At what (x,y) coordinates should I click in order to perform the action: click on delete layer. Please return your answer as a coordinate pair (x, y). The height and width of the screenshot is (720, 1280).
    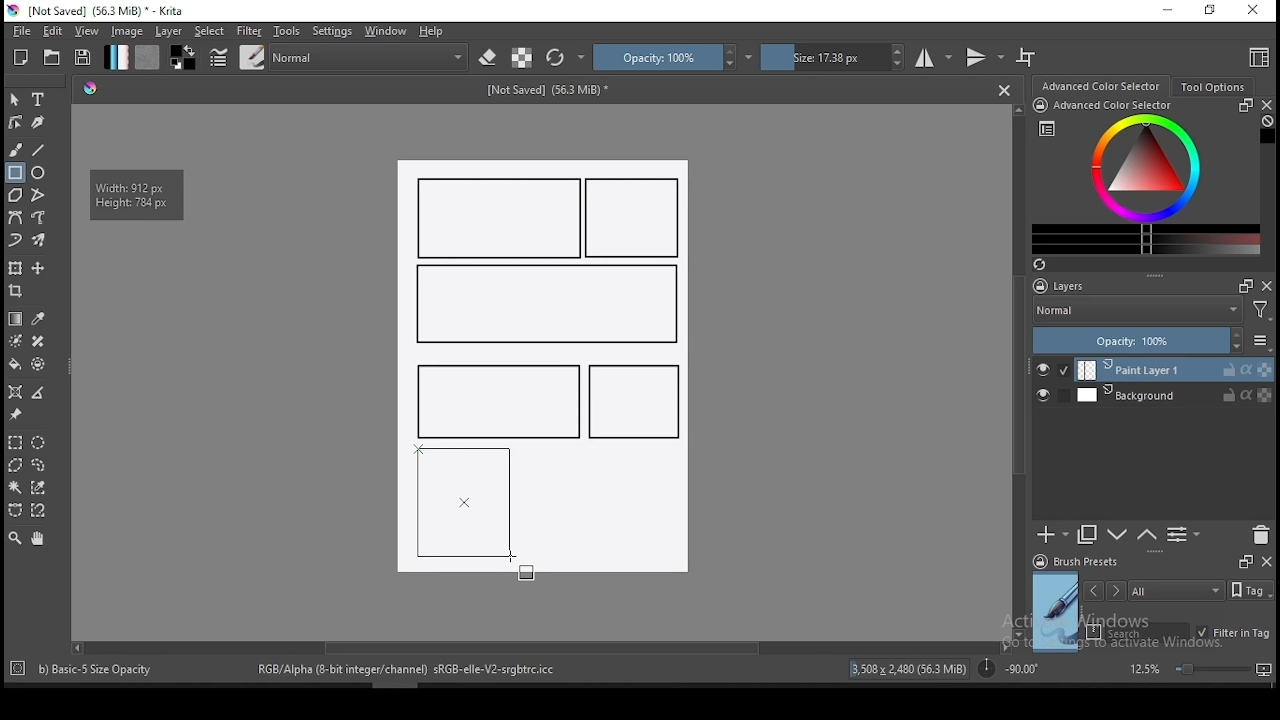
    Looking at the image, I should click on (1260, 536).